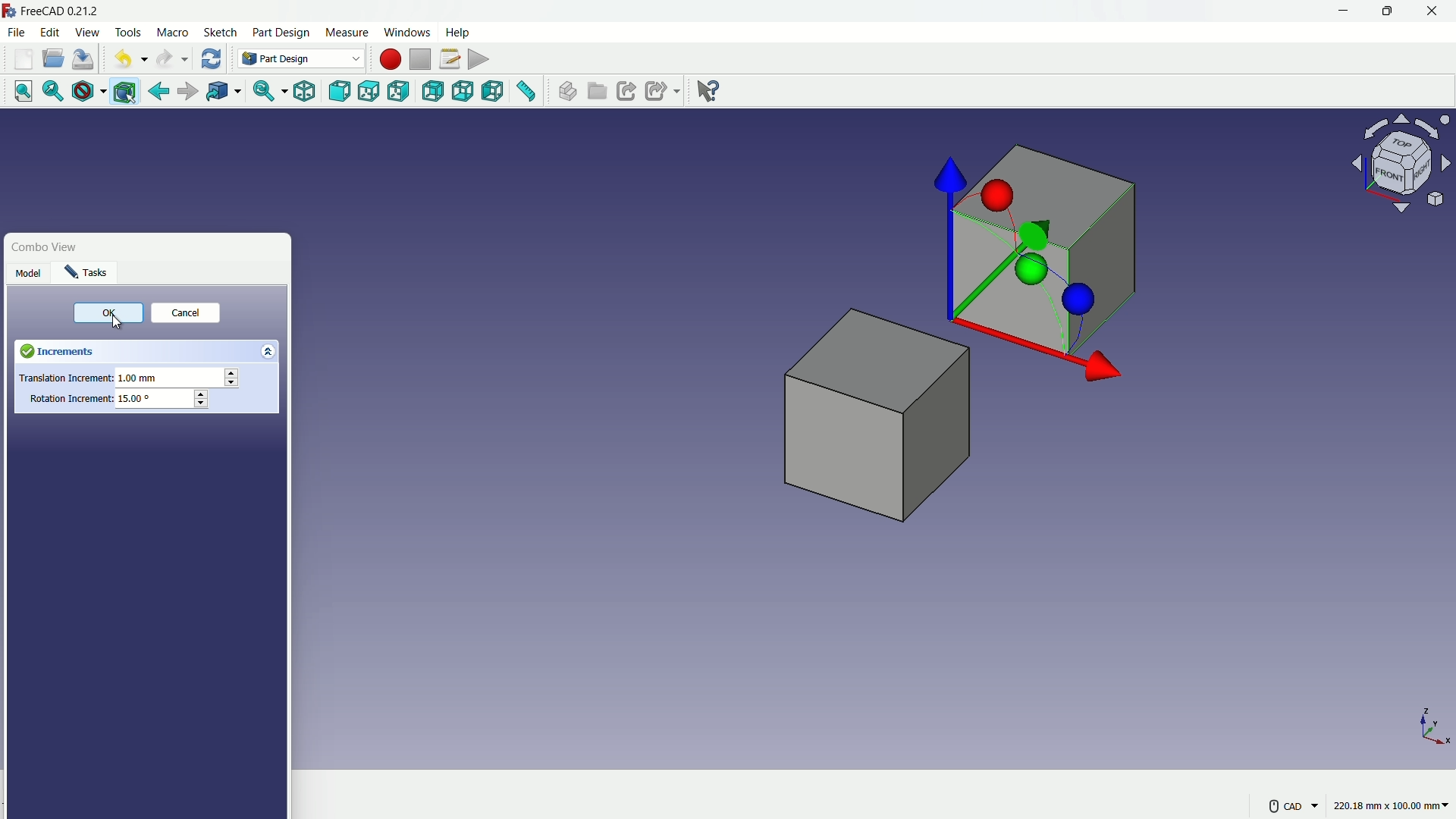  What do you see at coordinates (142, 379) in the screenshot?
I see `1.00 mm` at bounding box center [142, 379].